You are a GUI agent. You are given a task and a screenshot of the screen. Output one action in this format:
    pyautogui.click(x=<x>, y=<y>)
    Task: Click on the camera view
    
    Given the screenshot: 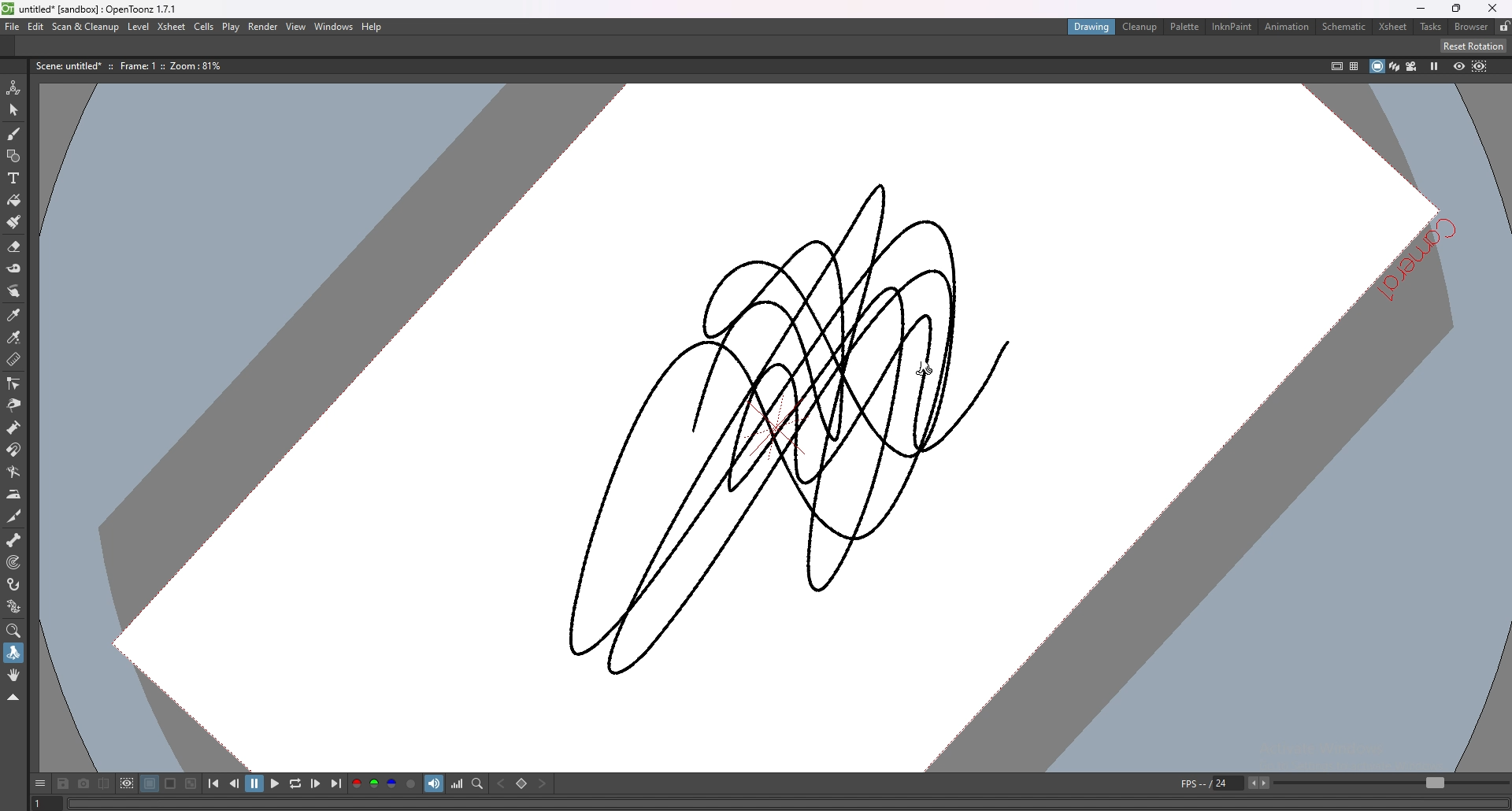 What is the action you would take?
    pyautogui.click(x=1412, y=67)
    